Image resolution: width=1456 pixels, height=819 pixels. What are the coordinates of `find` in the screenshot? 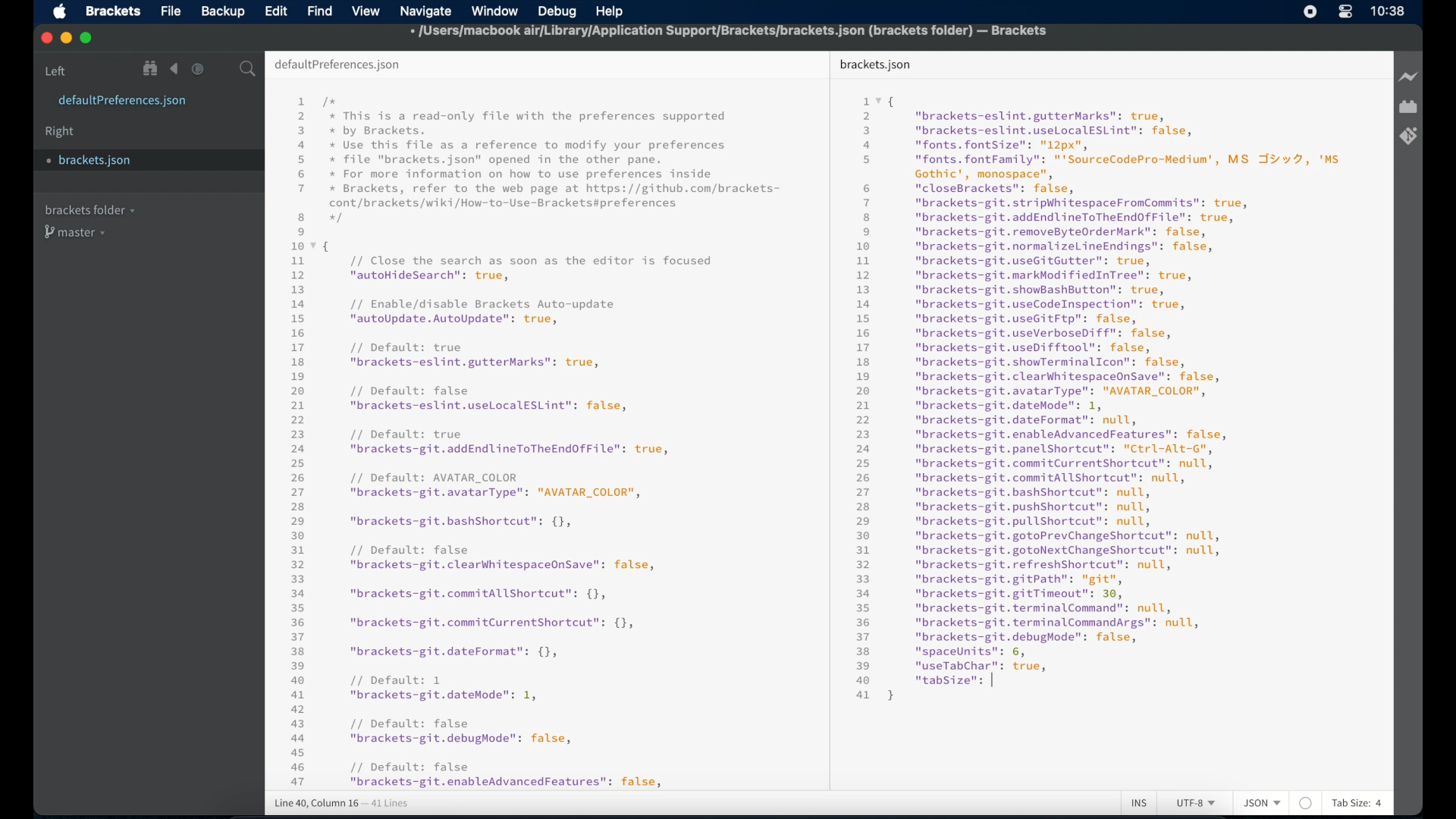 It's located at (320, 11).